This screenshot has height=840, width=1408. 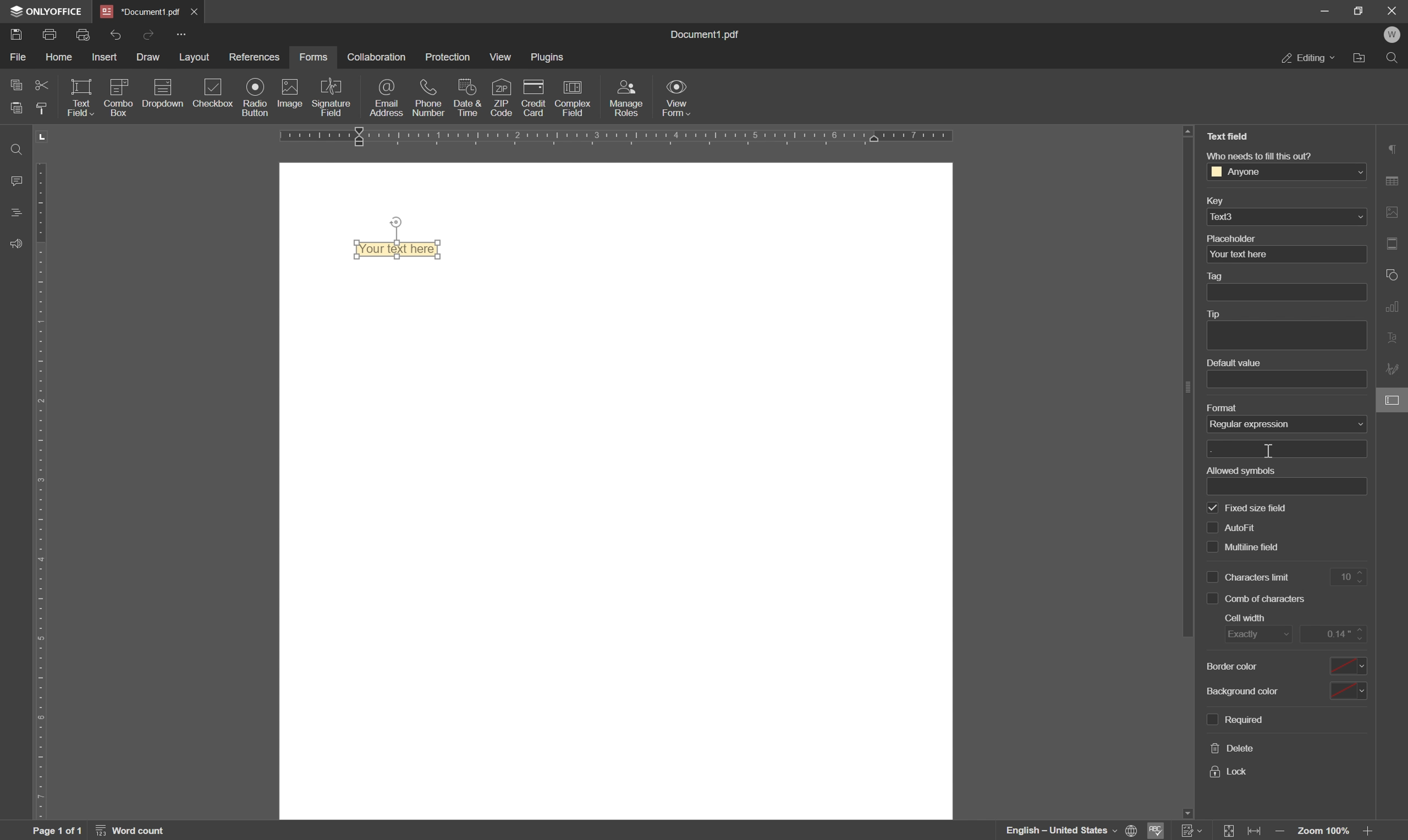 What do you see at coordinates (109, 57) in the screenshot?
I see `insert` at bounding box center [109, 57].